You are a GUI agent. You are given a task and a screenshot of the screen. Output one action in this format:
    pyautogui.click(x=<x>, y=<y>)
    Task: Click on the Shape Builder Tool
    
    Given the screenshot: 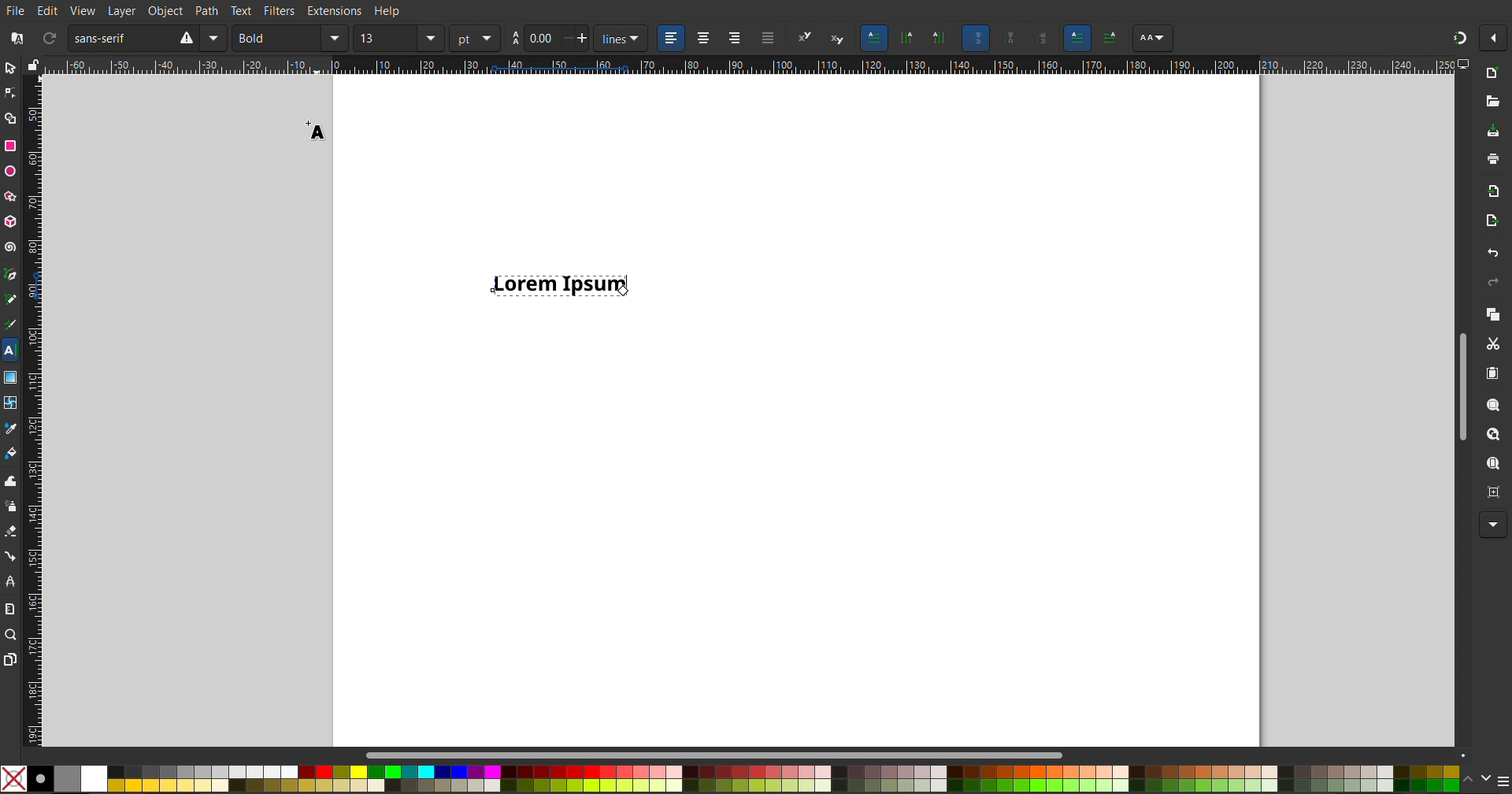 What is the action you would take?
    pyautogui.click(x=13, y=118)
    